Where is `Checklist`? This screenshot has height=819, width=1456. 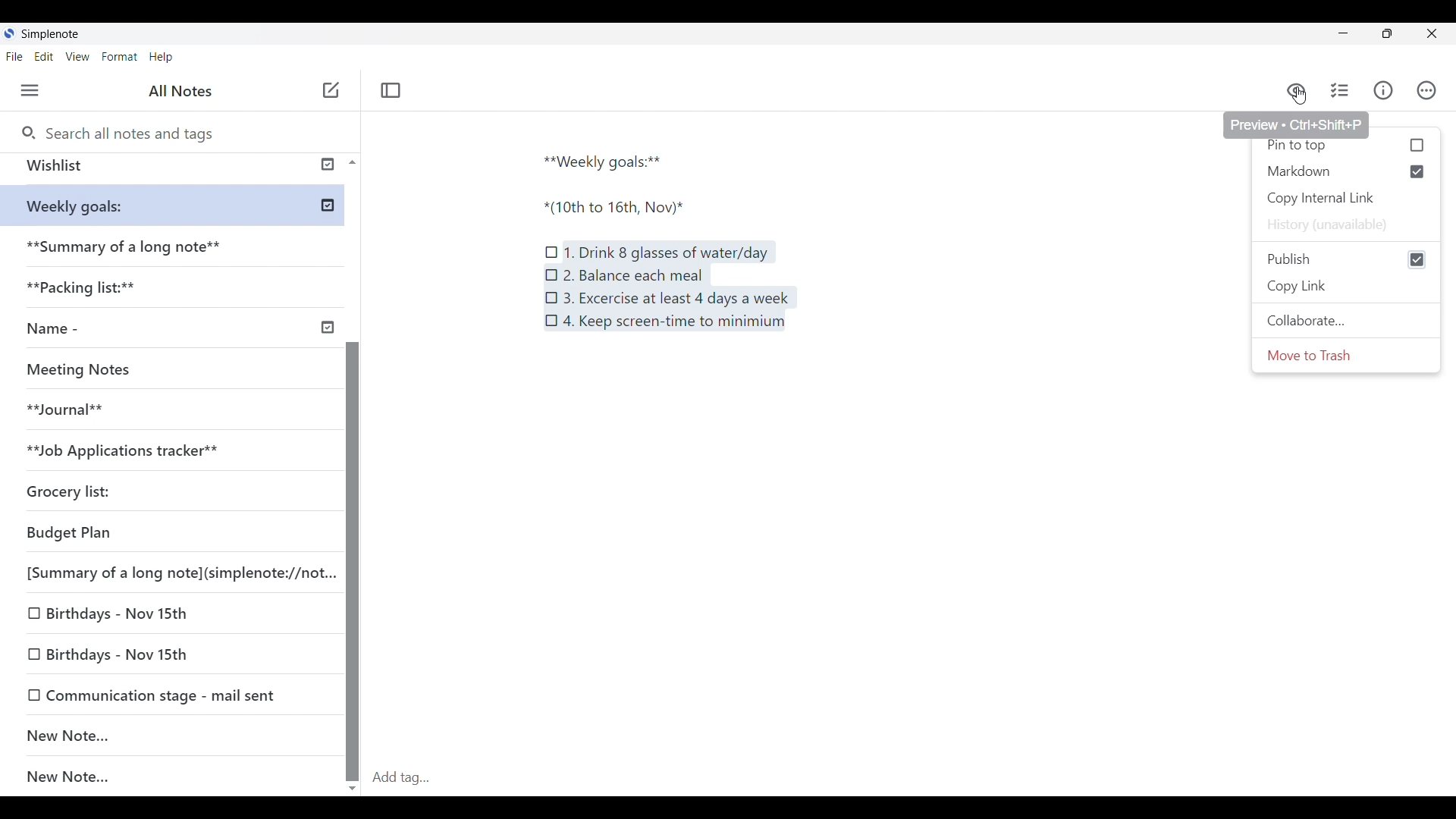
Checklist is located at coordinates (1337, 90).